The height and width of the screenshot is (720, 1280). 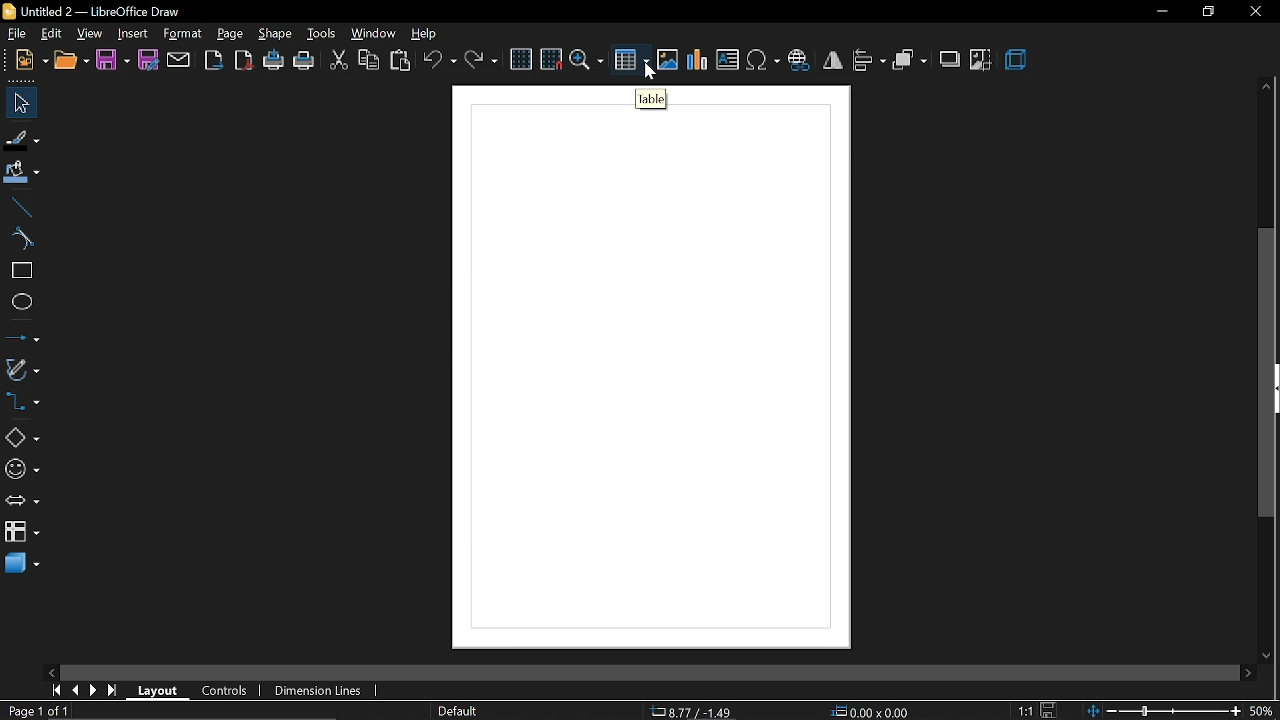 What do you see at coordinates (1268, 372) in the screenshot?
I see `vertical scrollbar` at bounding box center [1268, 372].